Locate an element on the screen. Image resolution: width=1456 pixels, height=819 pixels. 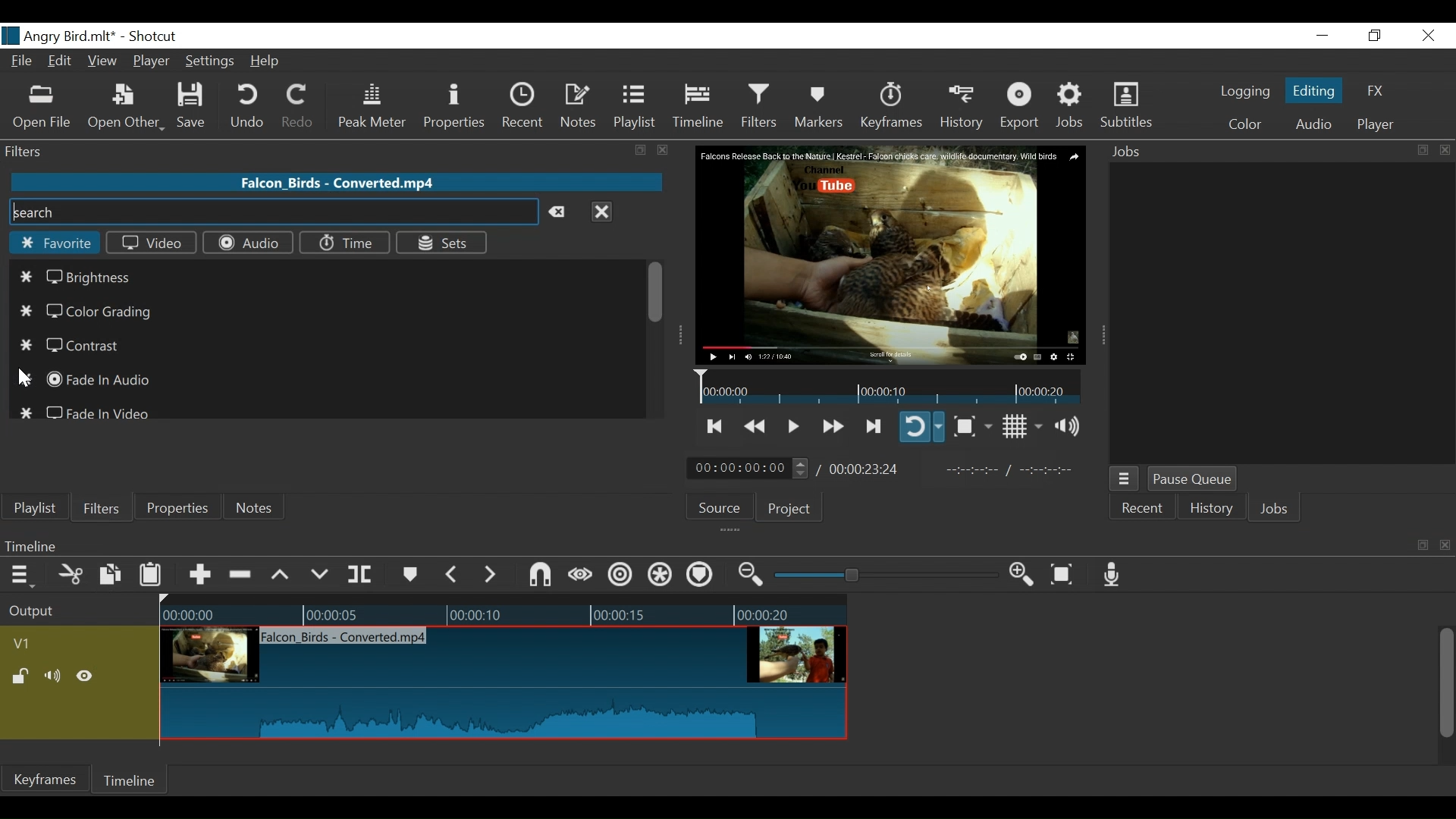
close is located at coordinates (1445, 150).